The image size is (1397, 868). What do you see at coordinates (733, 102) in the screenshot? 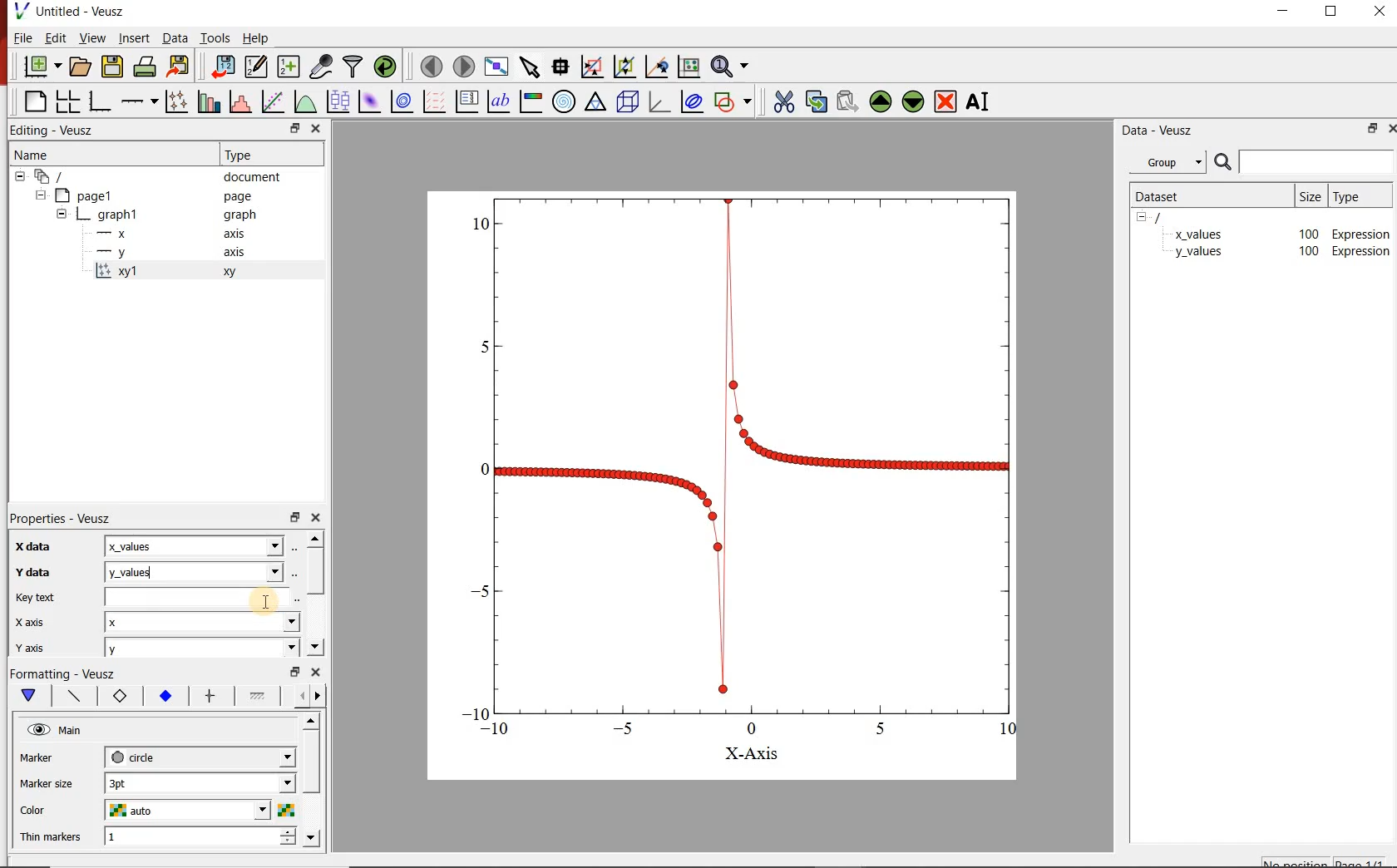
I see `add shape` at bounding box center [733, 102].